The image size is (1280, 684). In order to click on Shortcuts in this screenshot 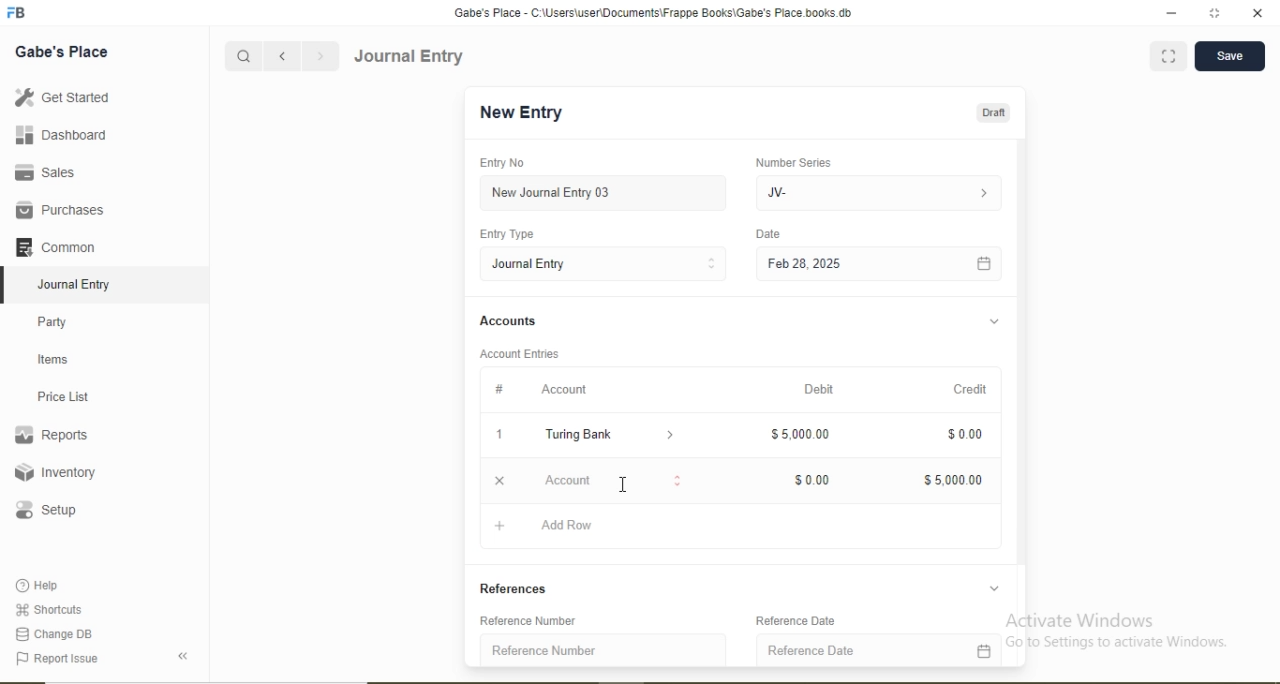, I will do `click(47, 609)`.